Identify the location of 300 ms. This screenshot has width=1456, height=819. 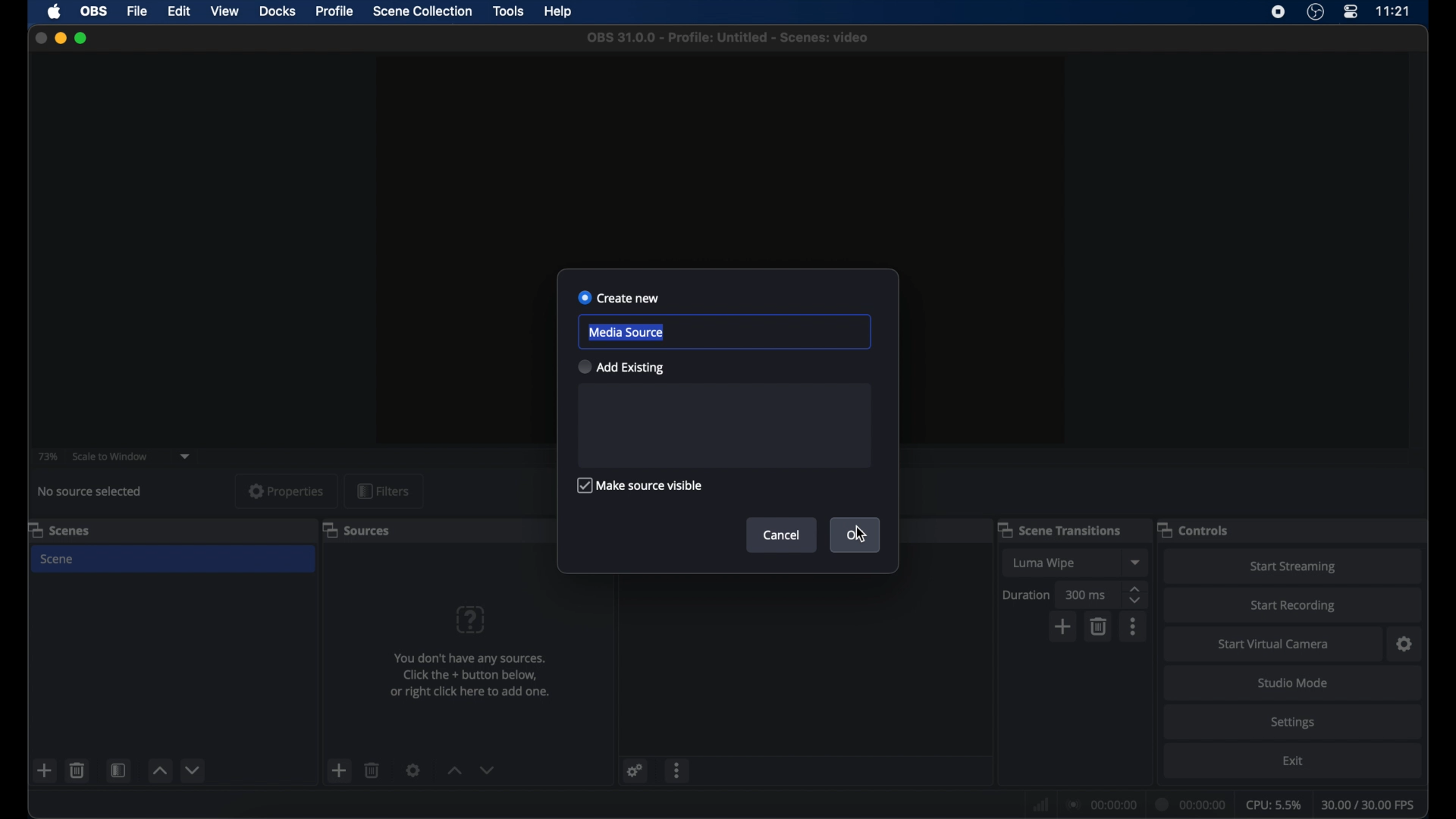
(1086, 595).